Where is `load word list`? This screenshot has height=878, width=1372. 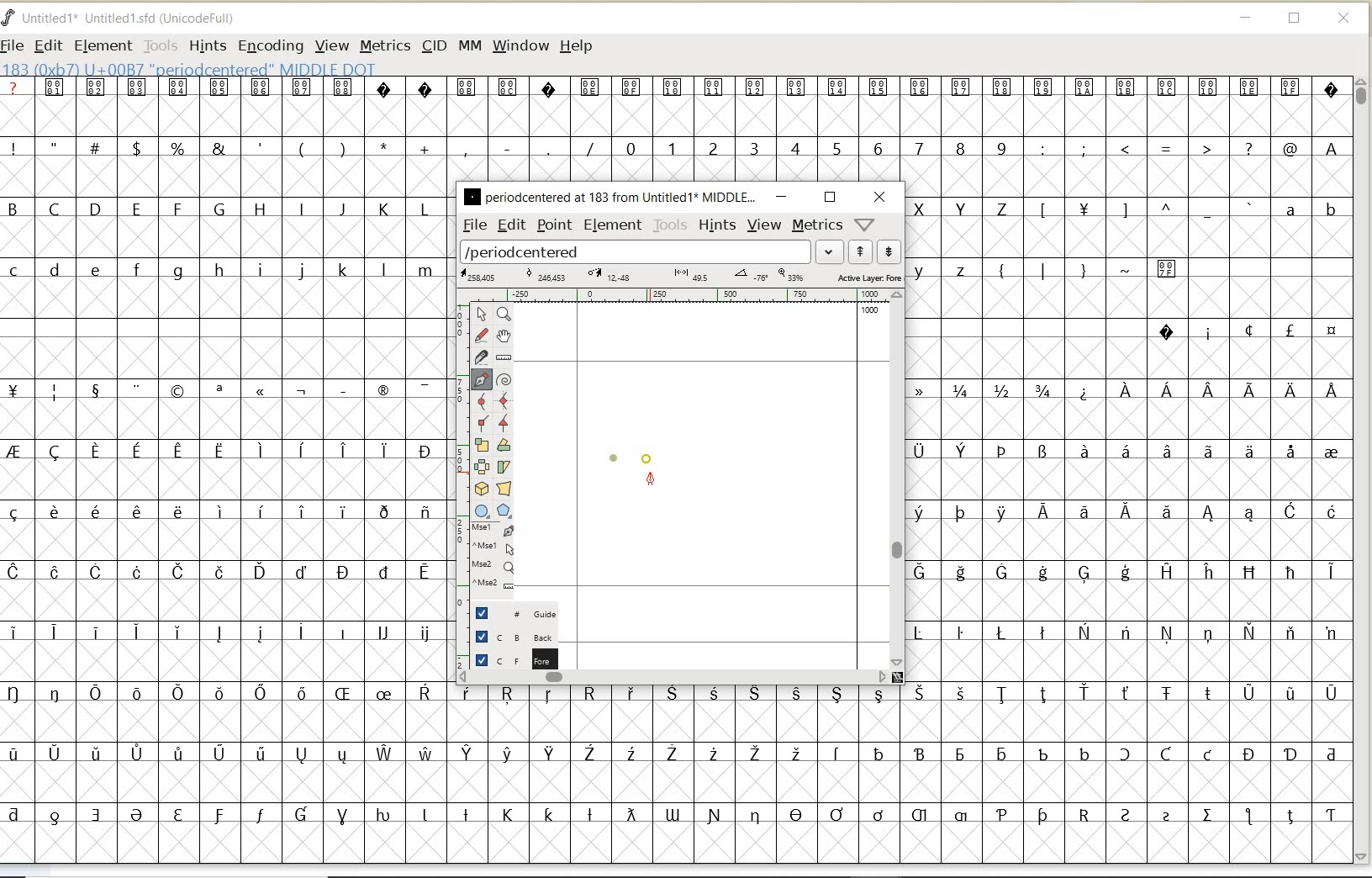
load word list is located at coordinates (636, 252).